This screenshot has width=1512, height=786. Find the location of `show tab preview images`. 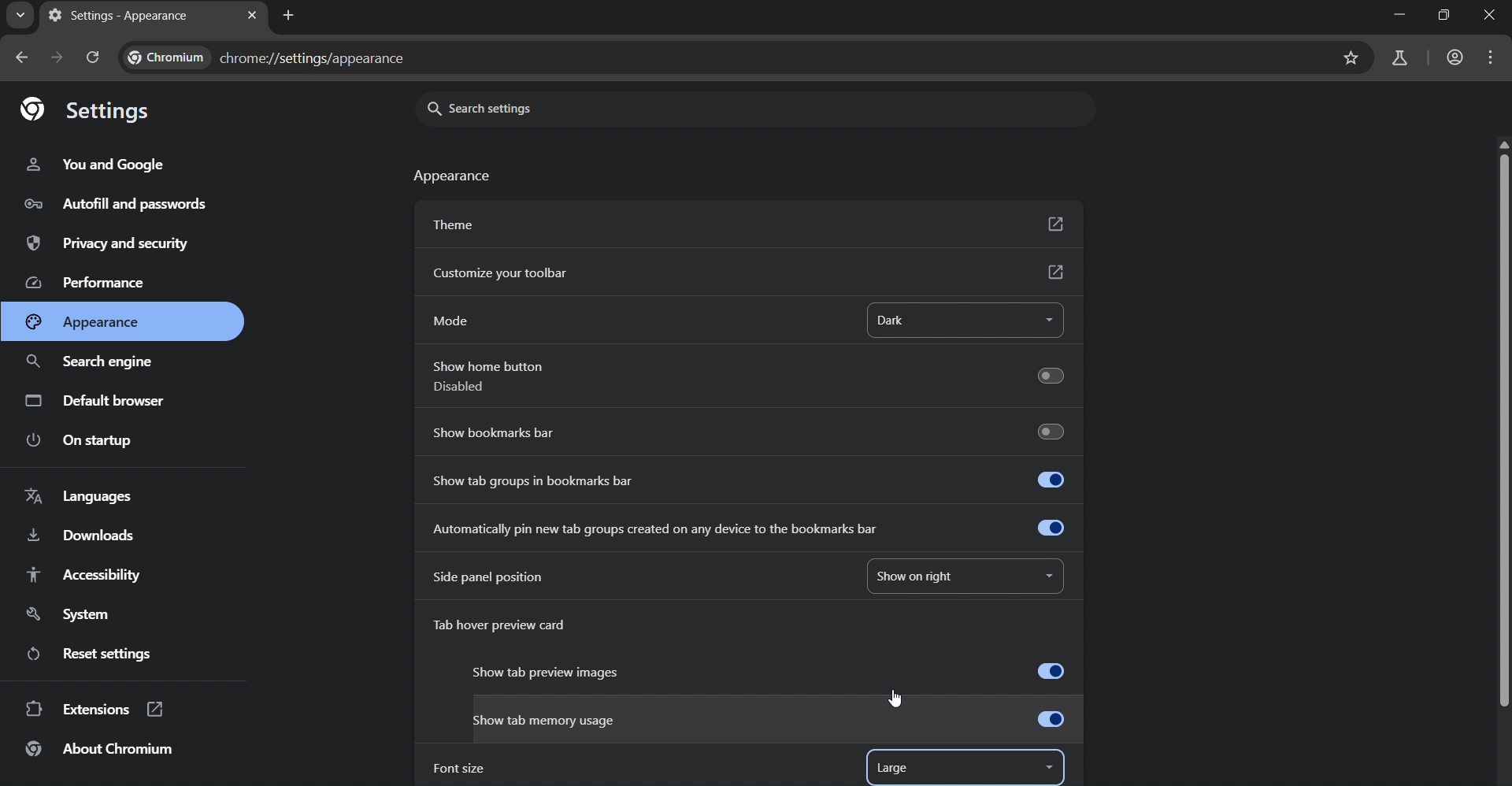

show tab preview images is located at coordinates (771, 673).